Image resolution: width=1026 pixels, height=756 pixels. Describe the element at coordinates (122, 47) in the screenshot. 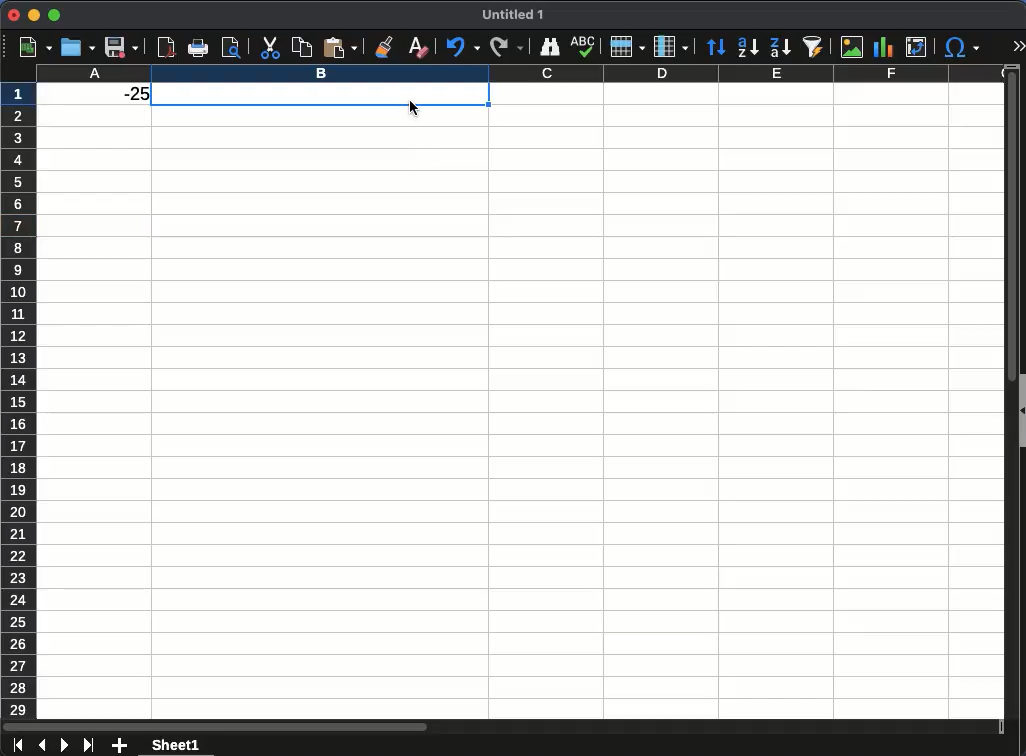

I see `save` at that location.